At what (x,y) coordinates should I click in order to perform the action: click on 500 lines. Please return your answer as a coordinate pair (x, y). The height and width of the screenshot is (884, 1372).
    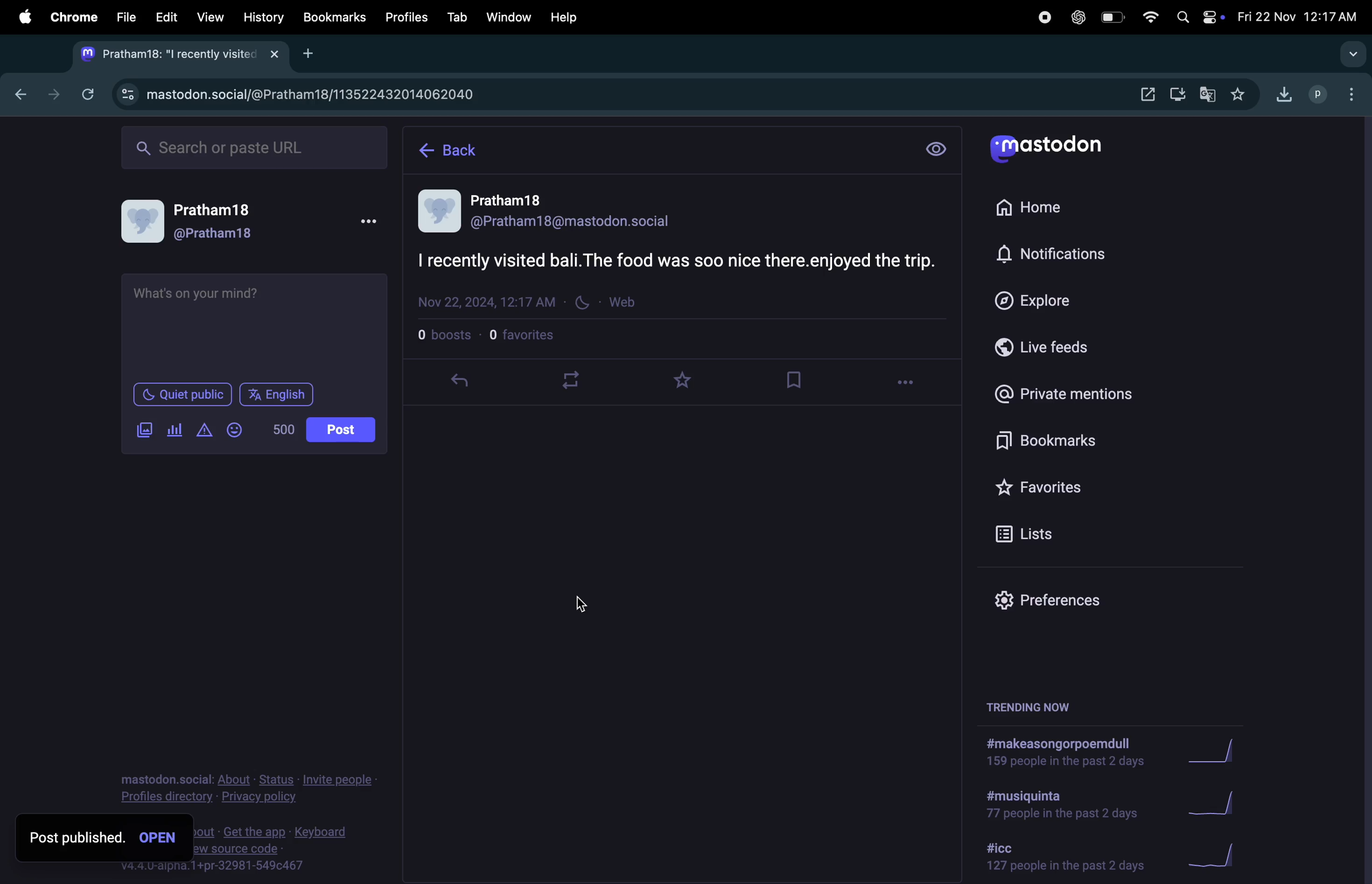
    Looking at the image, I should click on (280, 429).